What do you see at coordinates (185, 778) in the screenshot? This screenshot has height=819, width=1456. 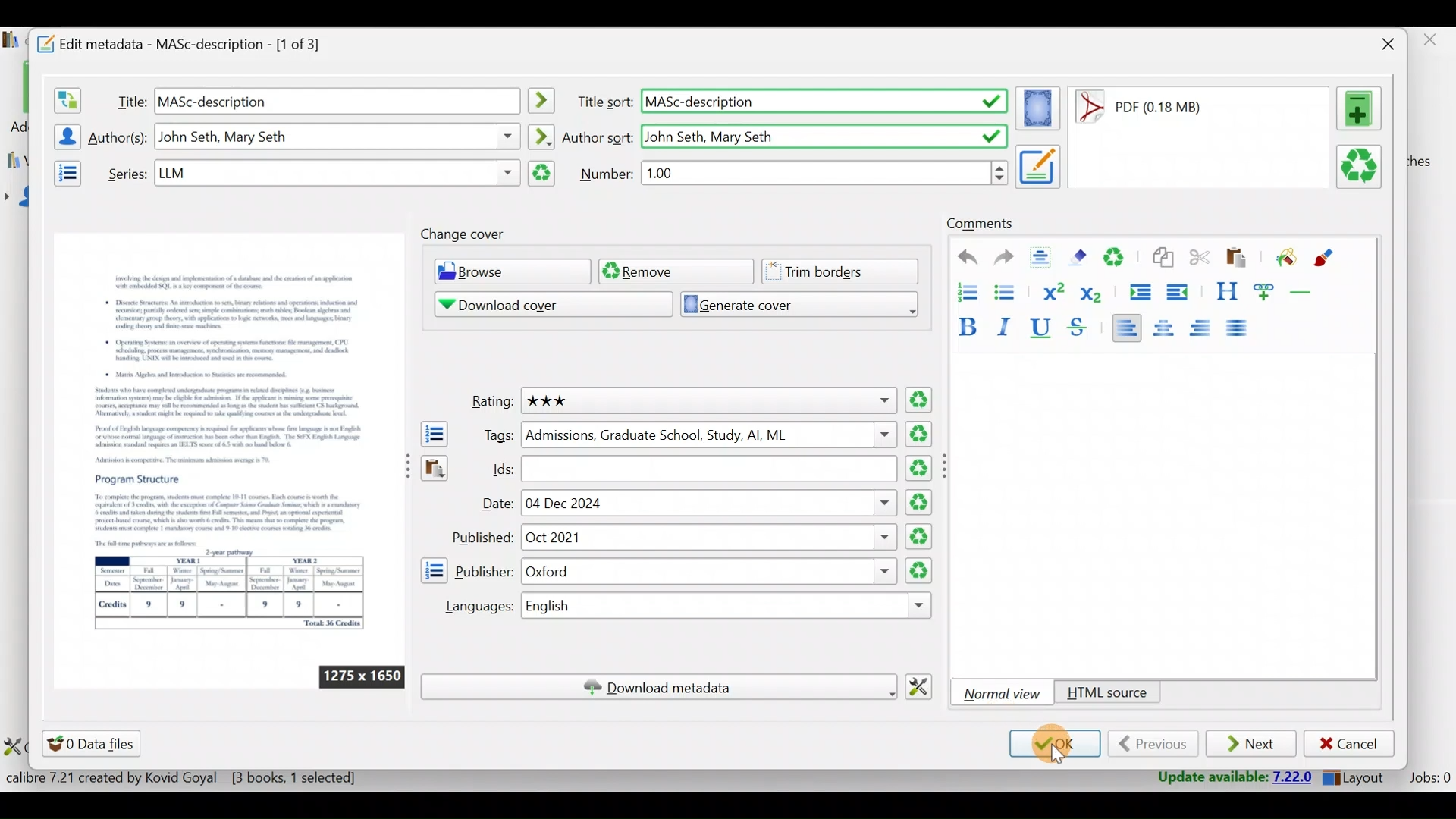 I see `Books count` at bounding box center [185, 778].